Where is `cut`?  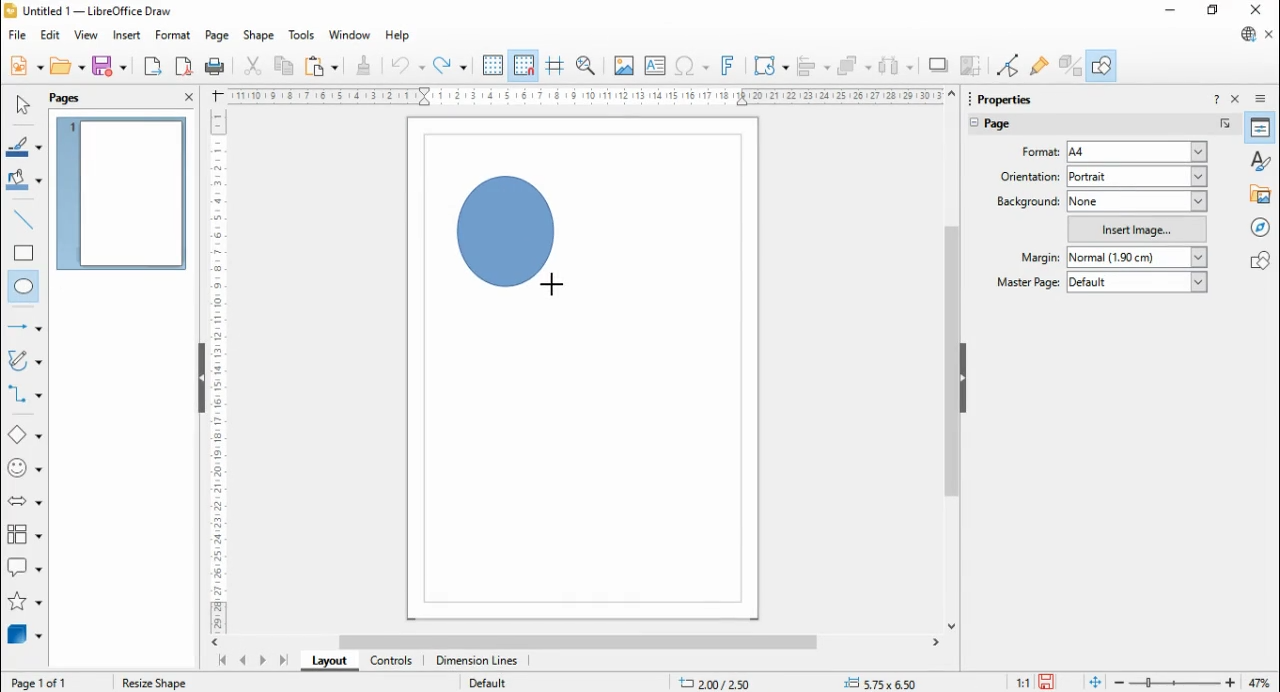 cut is located at coordinates (252, 65).